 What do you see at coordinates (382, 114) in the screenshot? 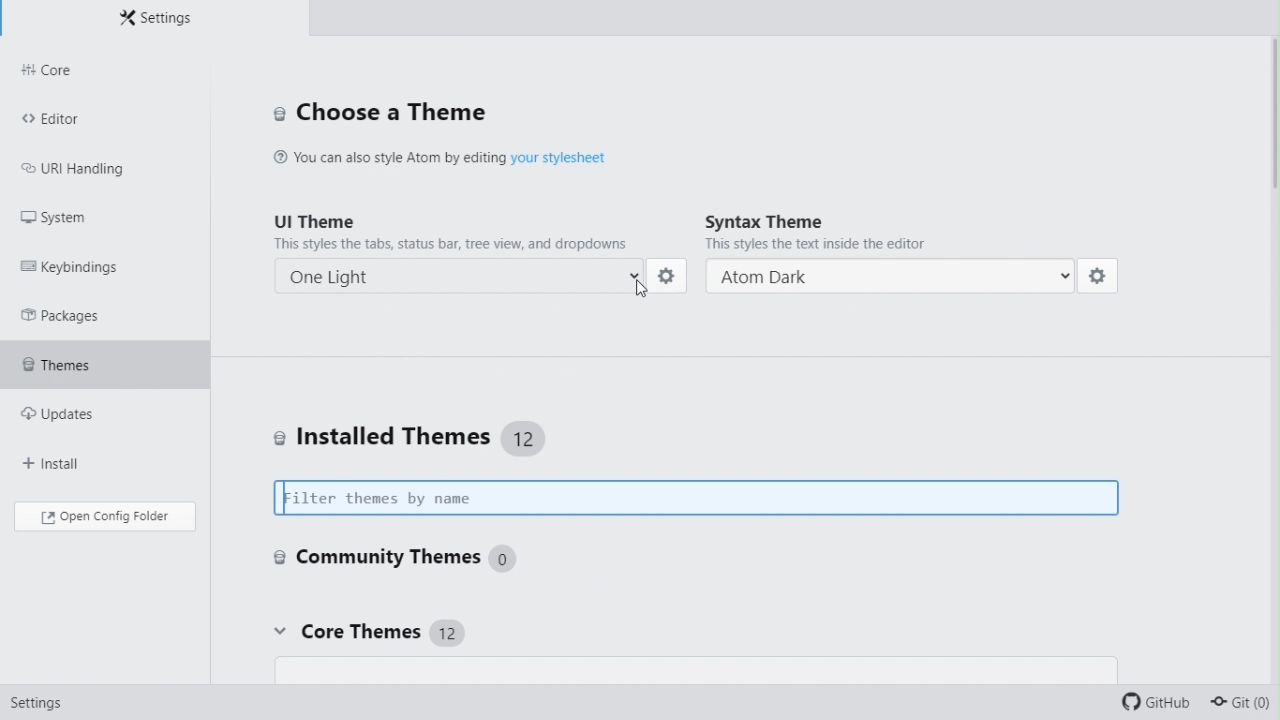
I see `Choose a theme` at bounding box center [382, 114].